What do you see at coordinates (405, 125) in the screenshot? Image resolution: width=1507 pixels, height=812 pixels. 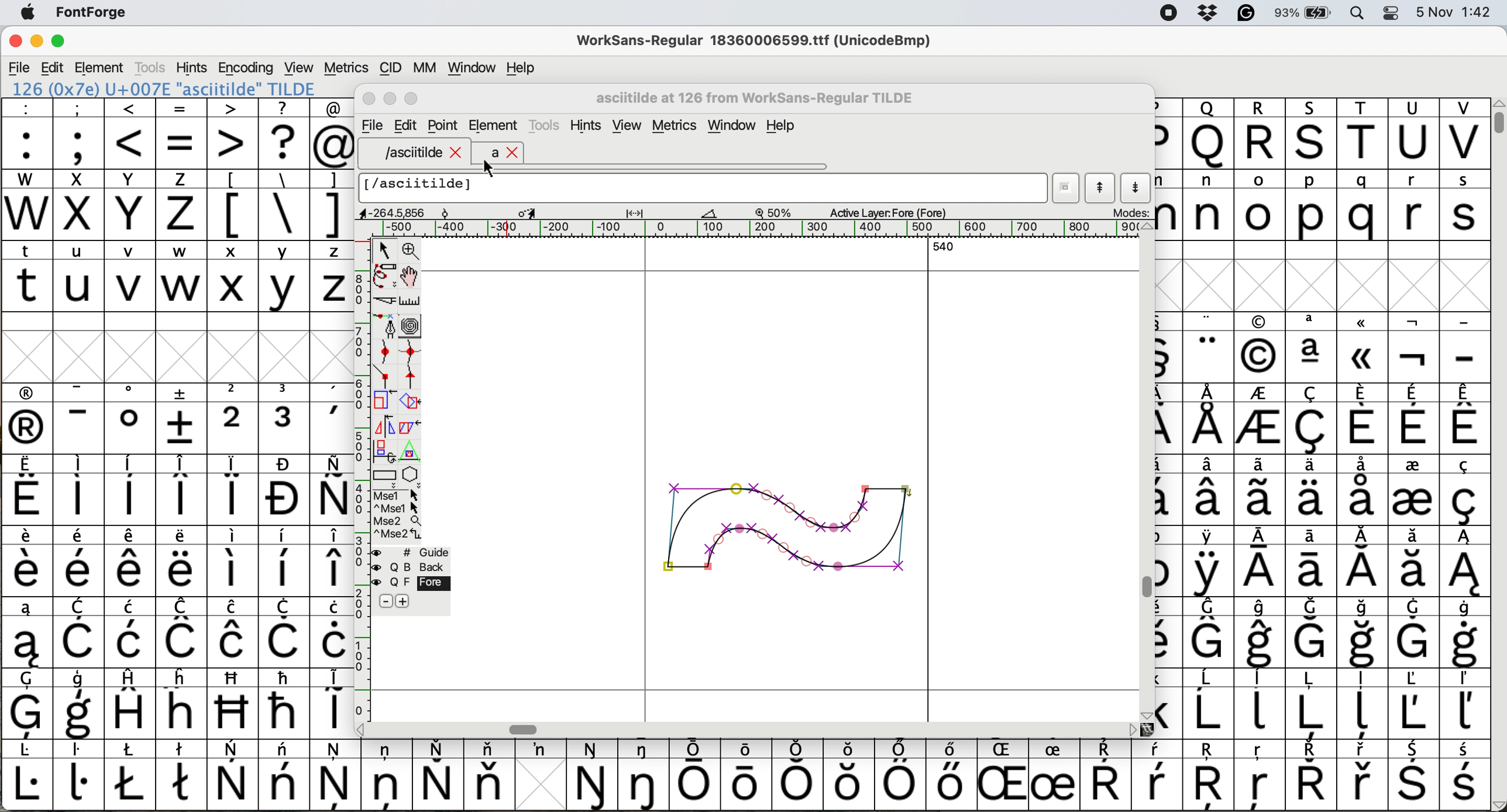 I see `Edit` at bounding box center [405, 125].